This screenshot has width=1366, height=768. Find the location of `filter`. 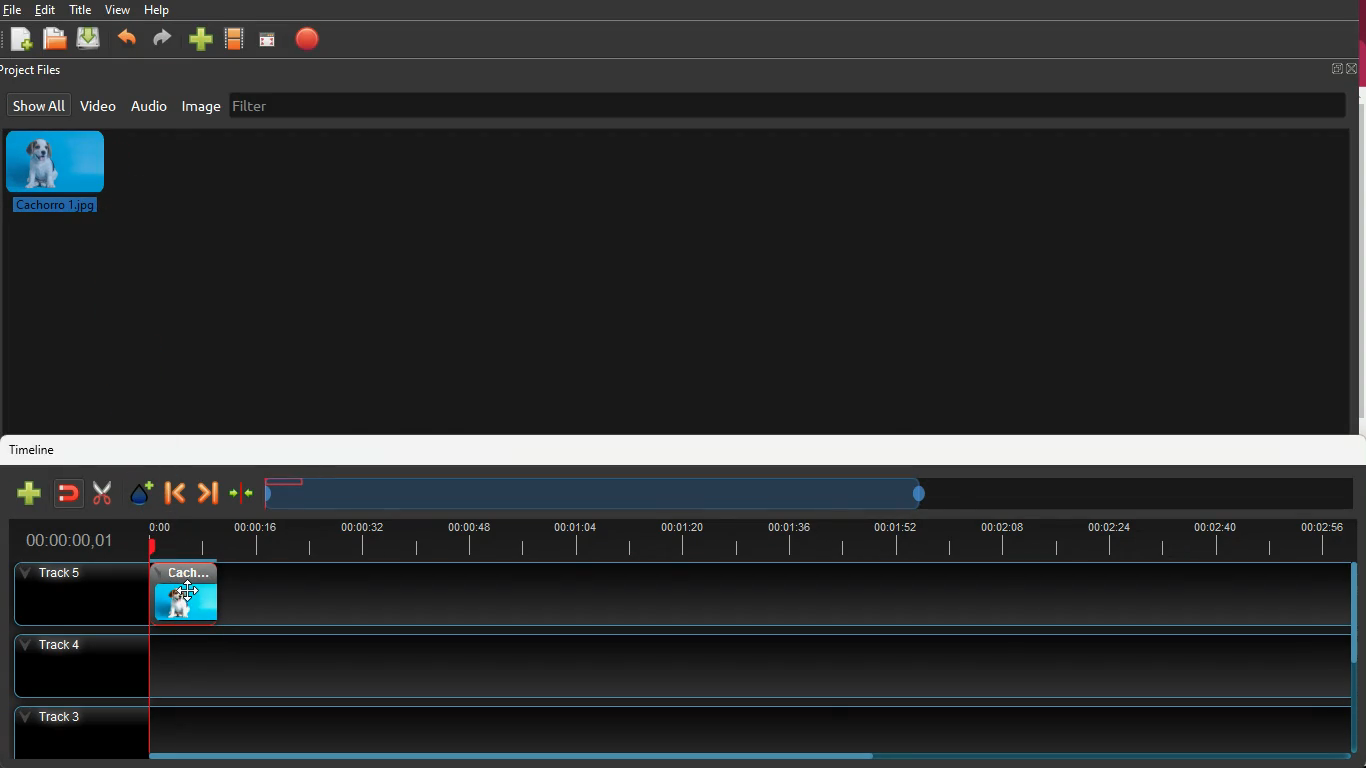

filter is located at coordinates (274, 108).